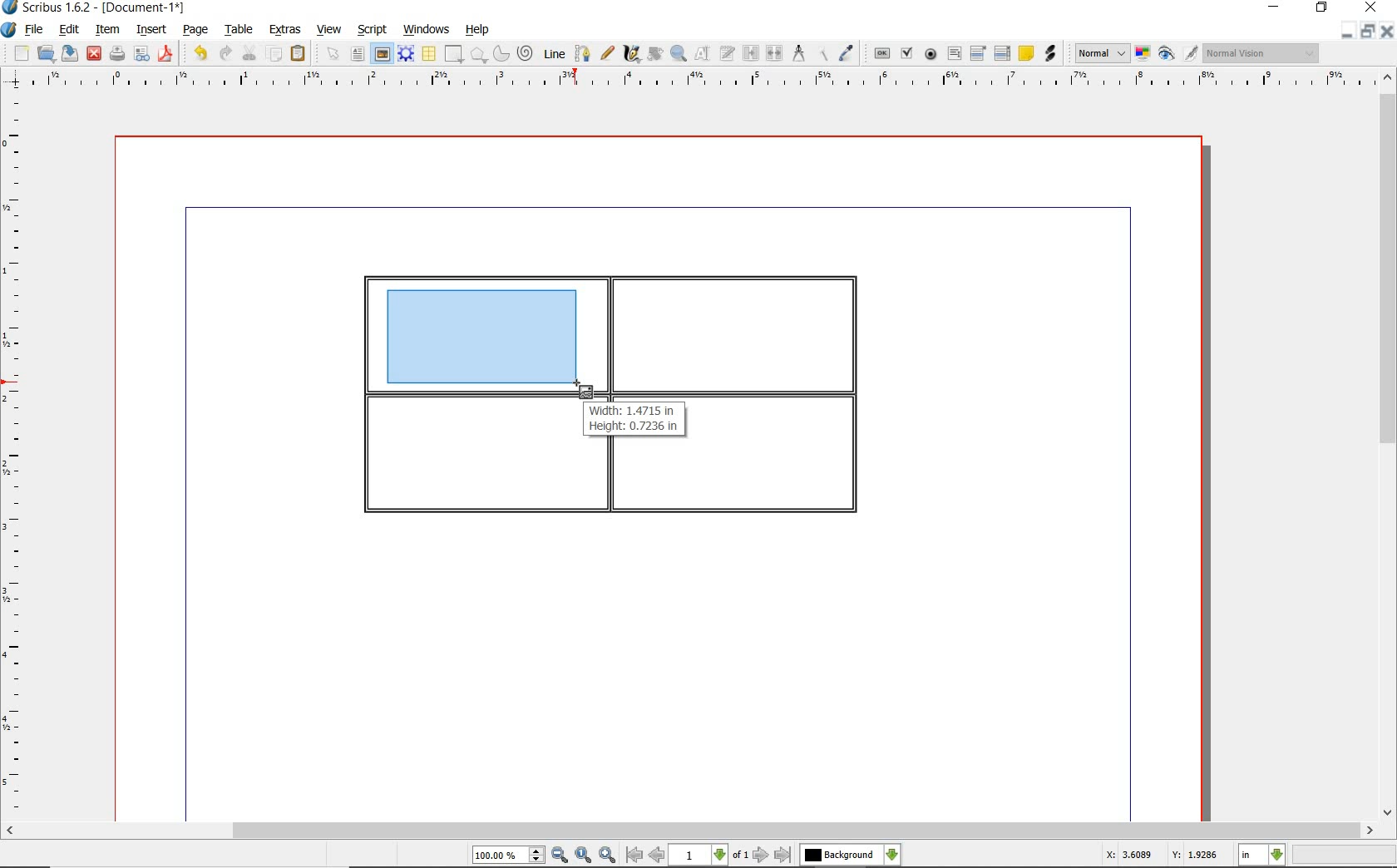 The width and height of the screenshot is (1397, 868). What do you see at coordinates (240, 31) in the screenshot?
I see `table` at bounding box center [240, 31].